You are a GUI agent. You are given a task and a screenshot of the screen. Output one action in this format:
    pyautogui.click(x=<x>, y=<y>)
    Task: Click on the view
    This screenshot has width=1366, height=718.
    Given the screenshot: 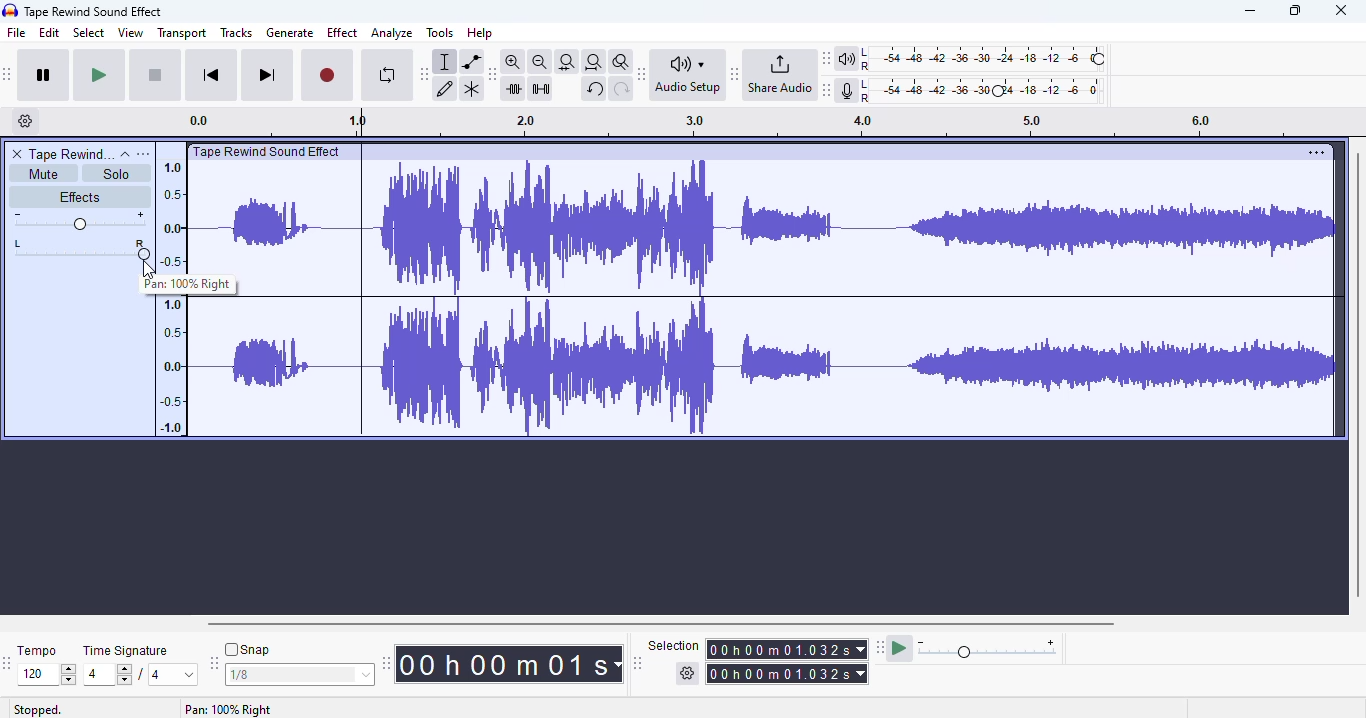 What is the action you would take?
    pyautogui.click(x=131, y=32)
    